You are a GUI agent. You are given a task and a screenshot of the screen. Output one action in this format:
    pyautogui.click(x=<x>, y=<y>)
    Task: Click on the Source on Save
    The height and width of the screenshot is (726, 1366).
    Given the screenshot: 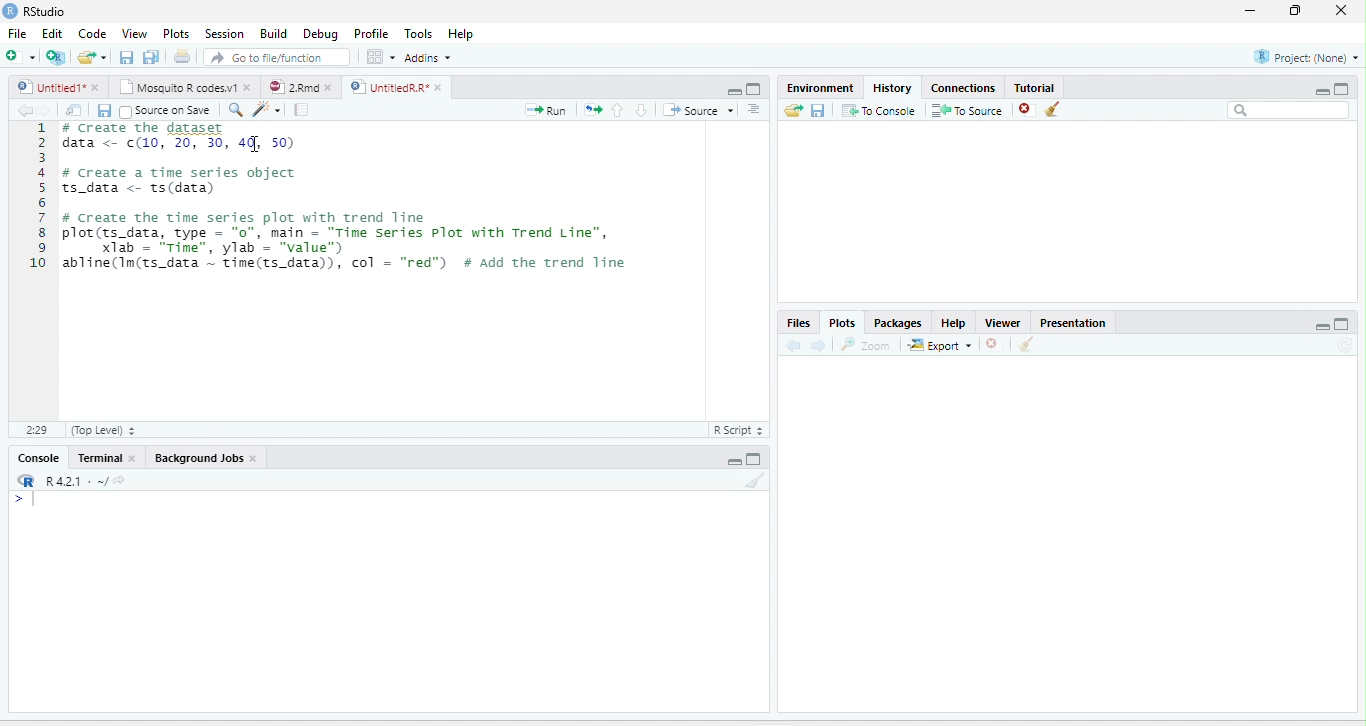 What is the action you would take?
    pyautogui.click(x=165, y=110)
    